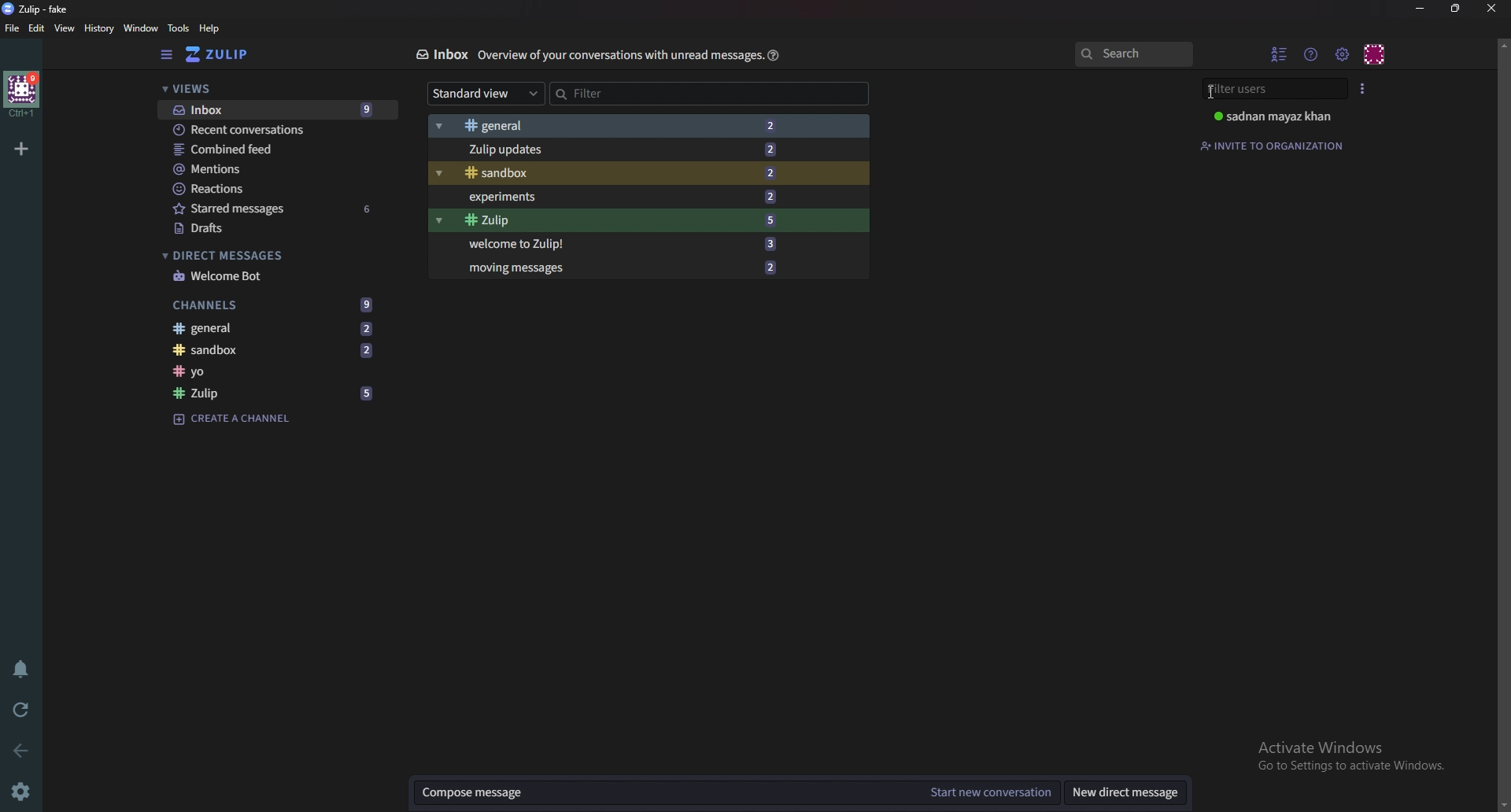 The width and height of the screenshot is (1511, 812). Describe the element at coordinates (625, 196) in the screenshot. I see `Experiments` at that location.